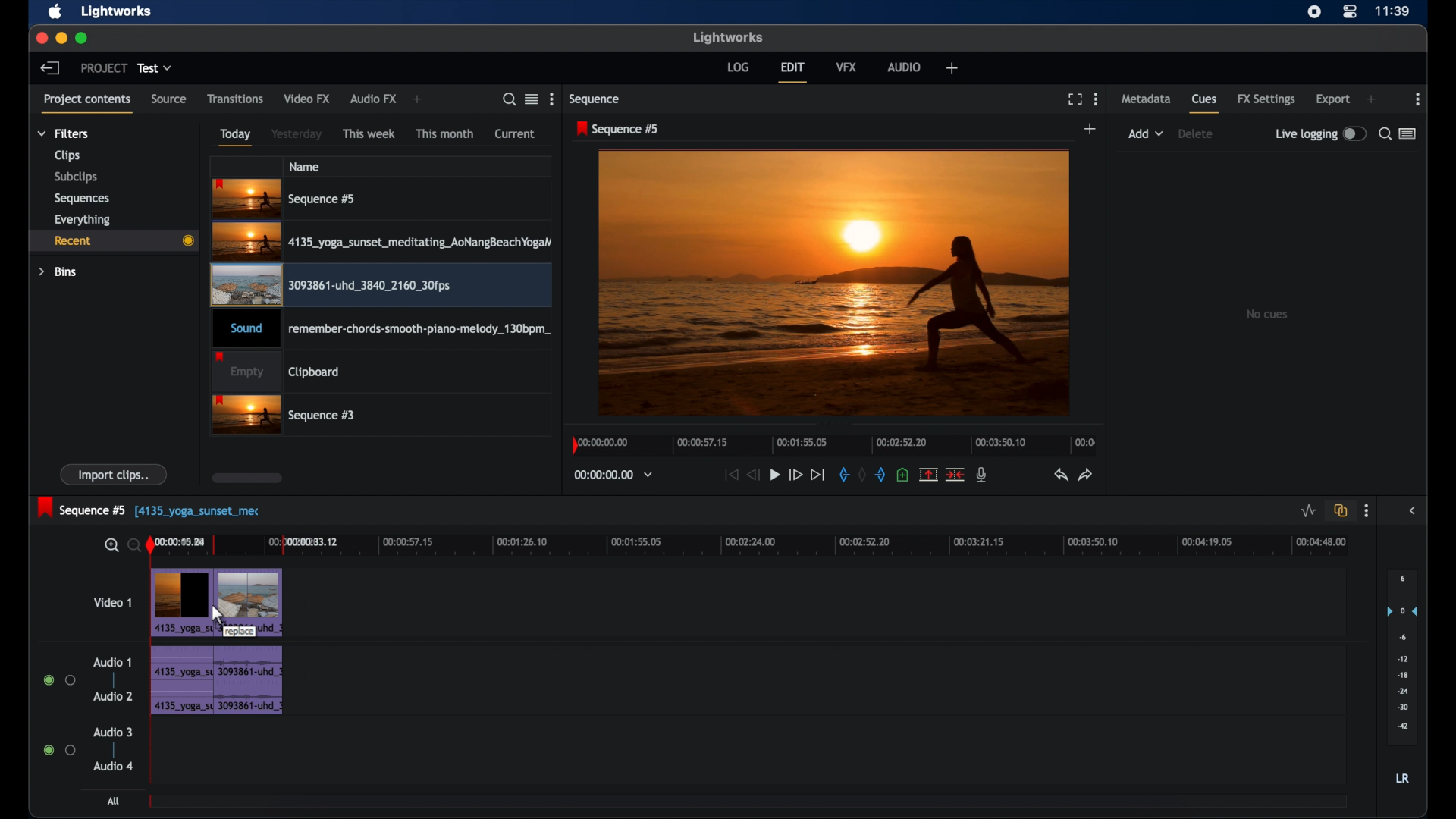 Image resolution: width=1456 pixels, height=819 pixels. What do you see at coordinates (818, 475) in the screenshot?
I see `jump to end` at bounding box center [818, 475].